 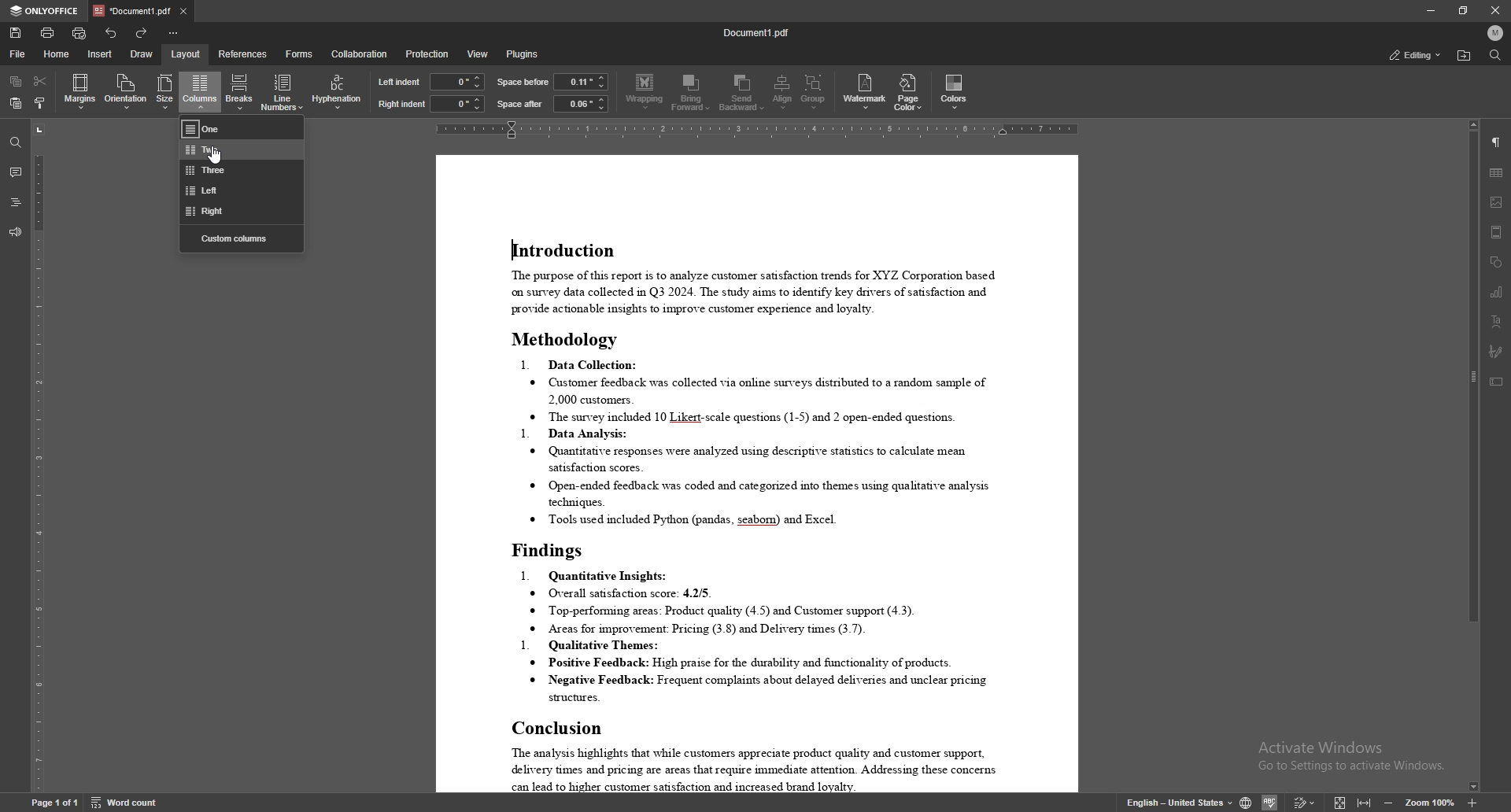 What do you see at coordinates (39, 103) in the screenshot?
I see `copy style` at bounding box center [39, 103].